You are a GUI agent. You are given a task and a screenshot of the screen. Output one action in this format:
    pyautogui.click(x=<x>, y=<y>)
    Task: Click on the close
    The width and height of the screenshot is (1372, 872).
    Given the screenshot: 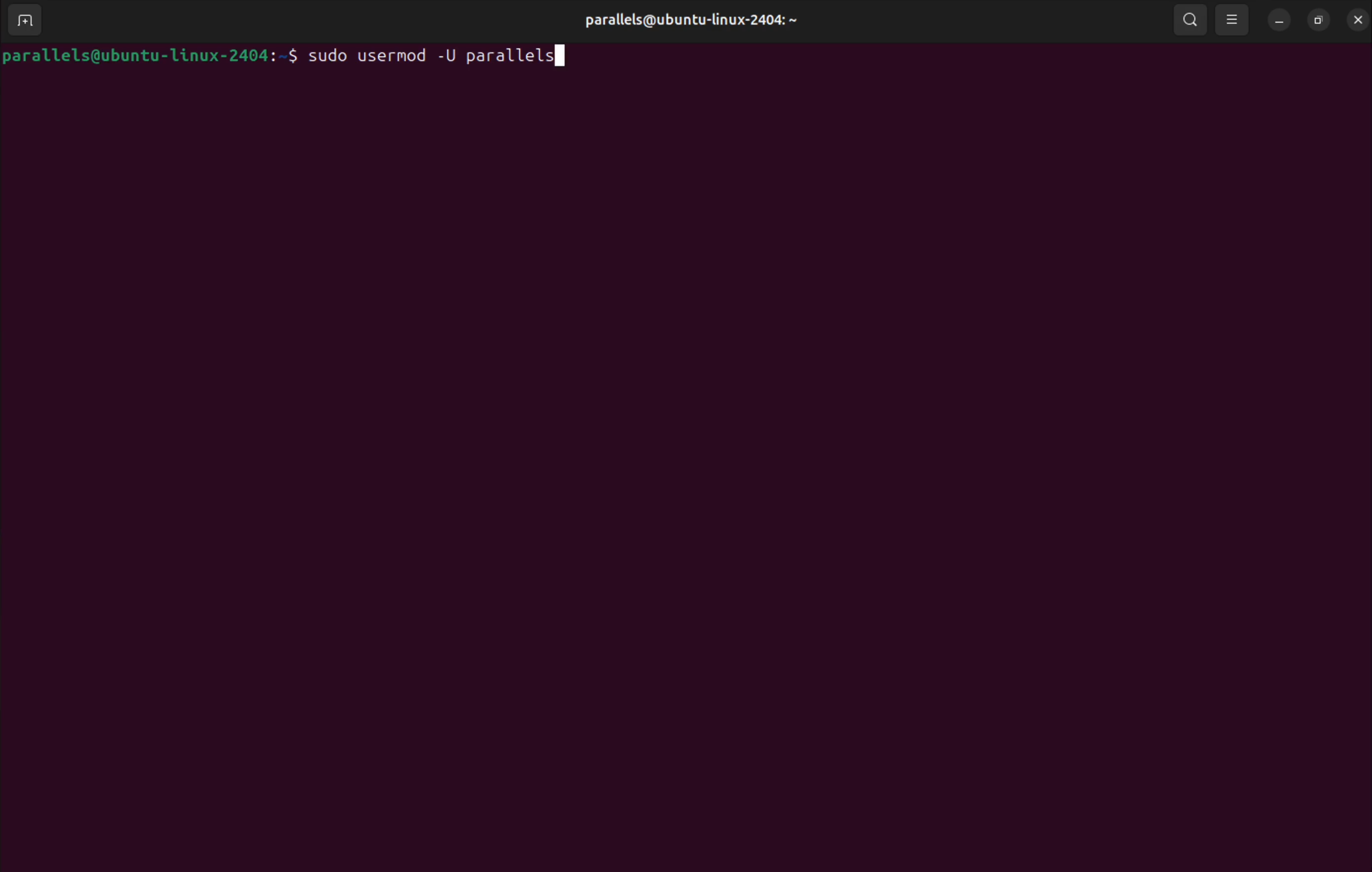 What is the action you would take?
    pyautogui.click(x=1356, y=19)
    